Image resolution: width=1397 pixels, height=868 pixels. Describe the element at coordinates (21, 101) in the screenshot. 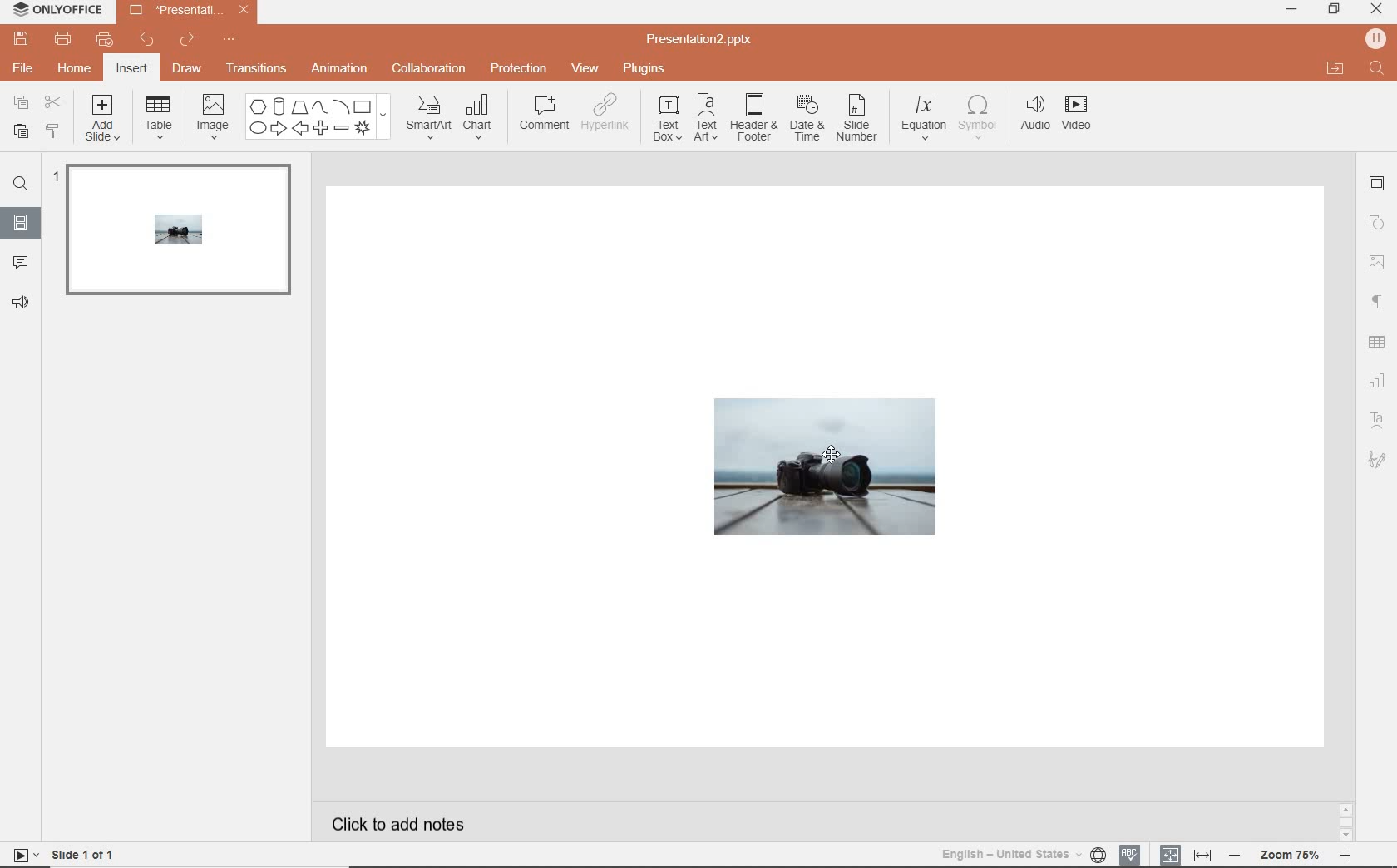

I see `copy` at that location.